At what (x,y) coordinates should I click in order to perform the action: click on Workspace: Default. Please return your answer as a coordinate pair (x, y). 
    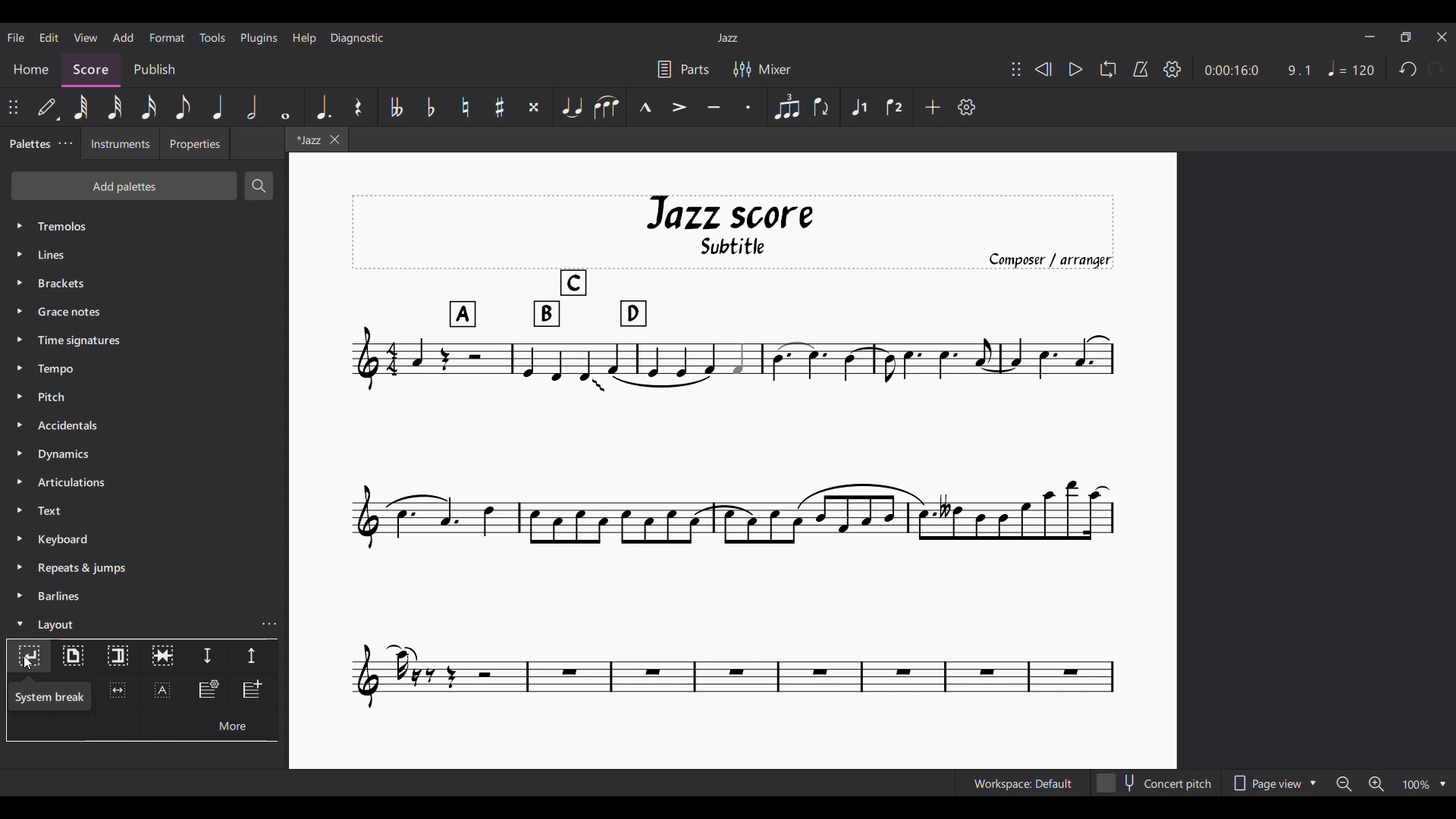
    Looking at the image, I should click on (1023, 783).